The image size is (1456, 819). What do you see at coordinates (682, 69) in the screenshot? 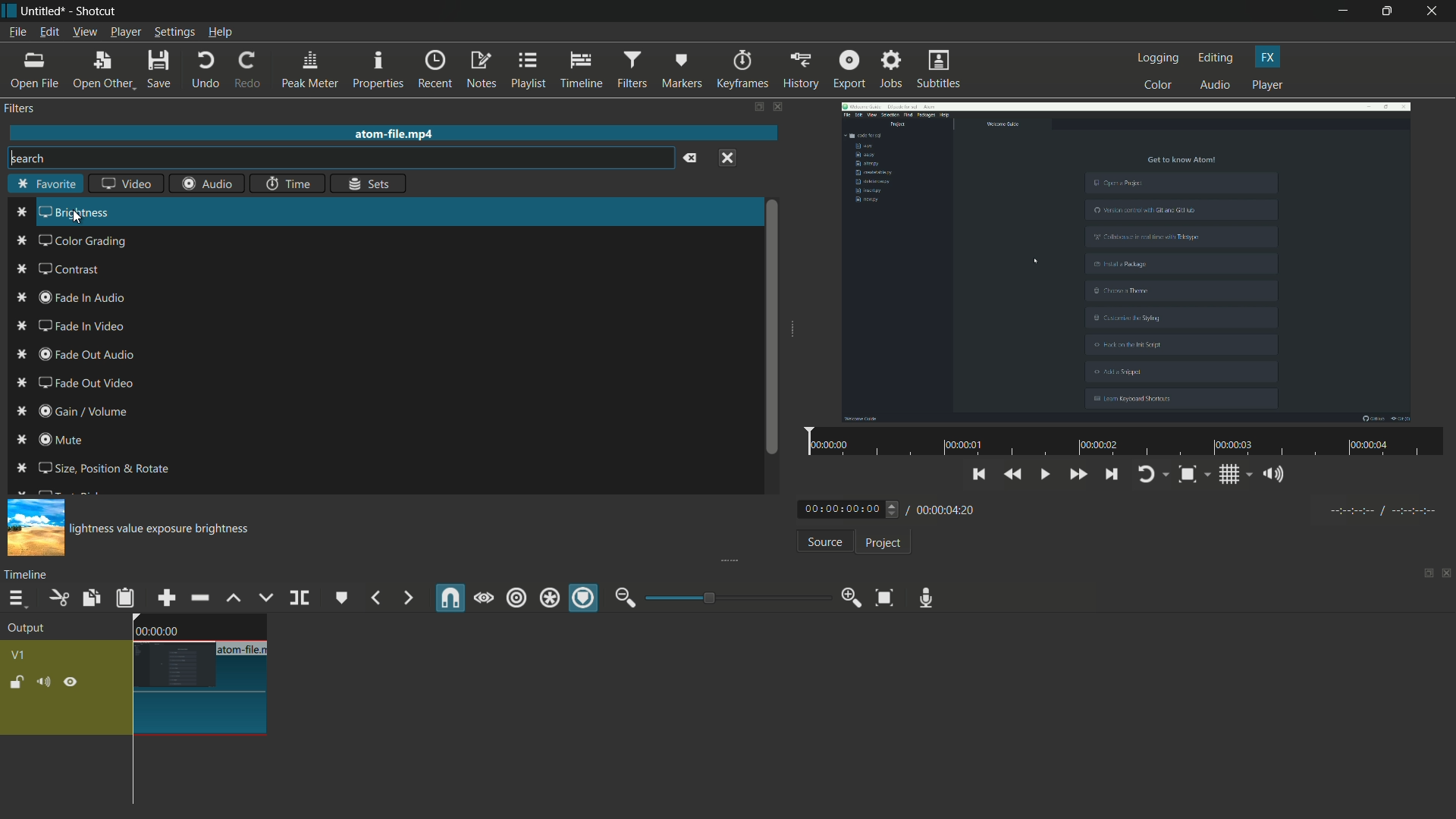
I see `markers` at bounding box center [682, 69].